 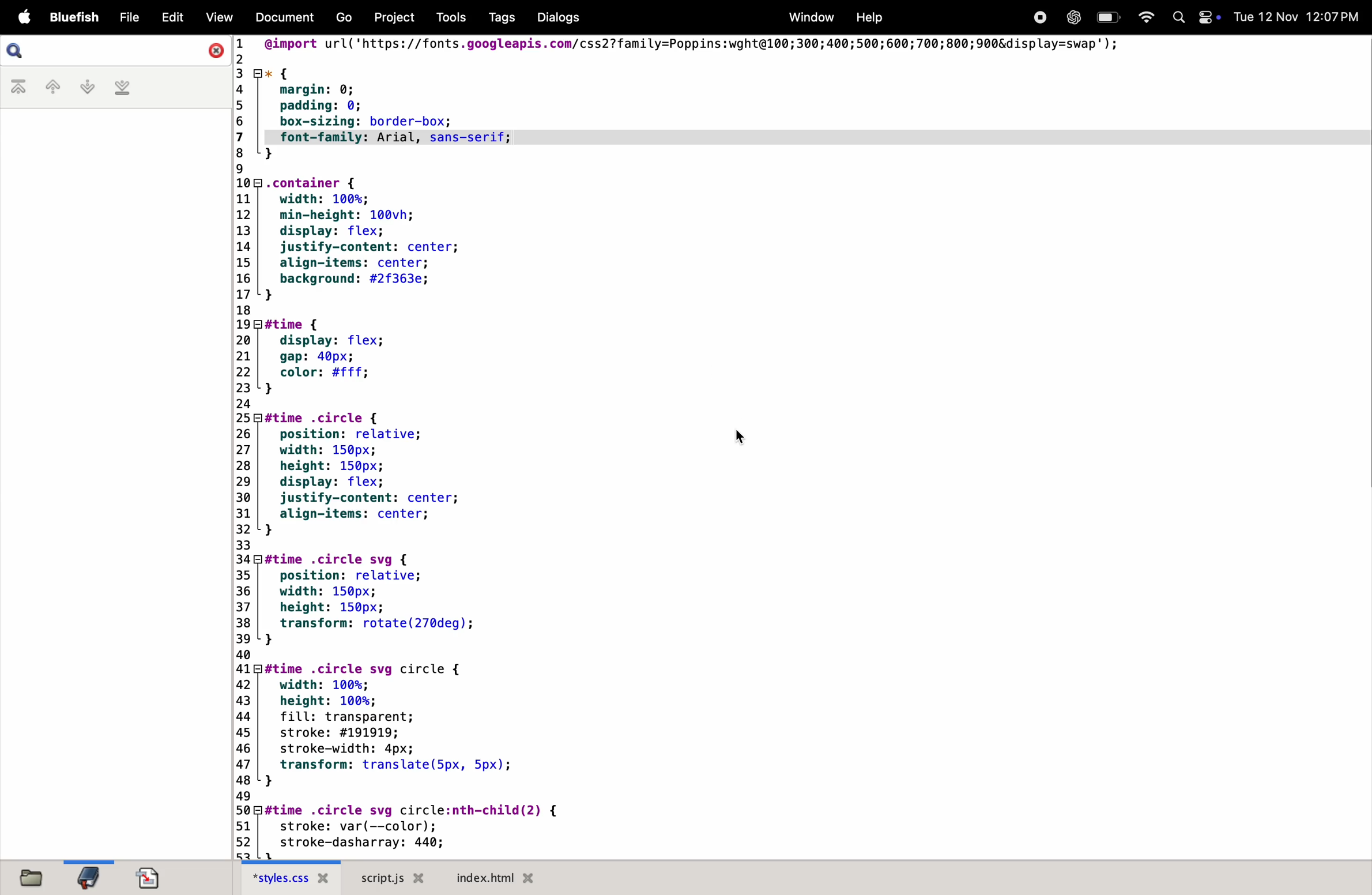 I want to click on Apple, so click(x=24, y=17).